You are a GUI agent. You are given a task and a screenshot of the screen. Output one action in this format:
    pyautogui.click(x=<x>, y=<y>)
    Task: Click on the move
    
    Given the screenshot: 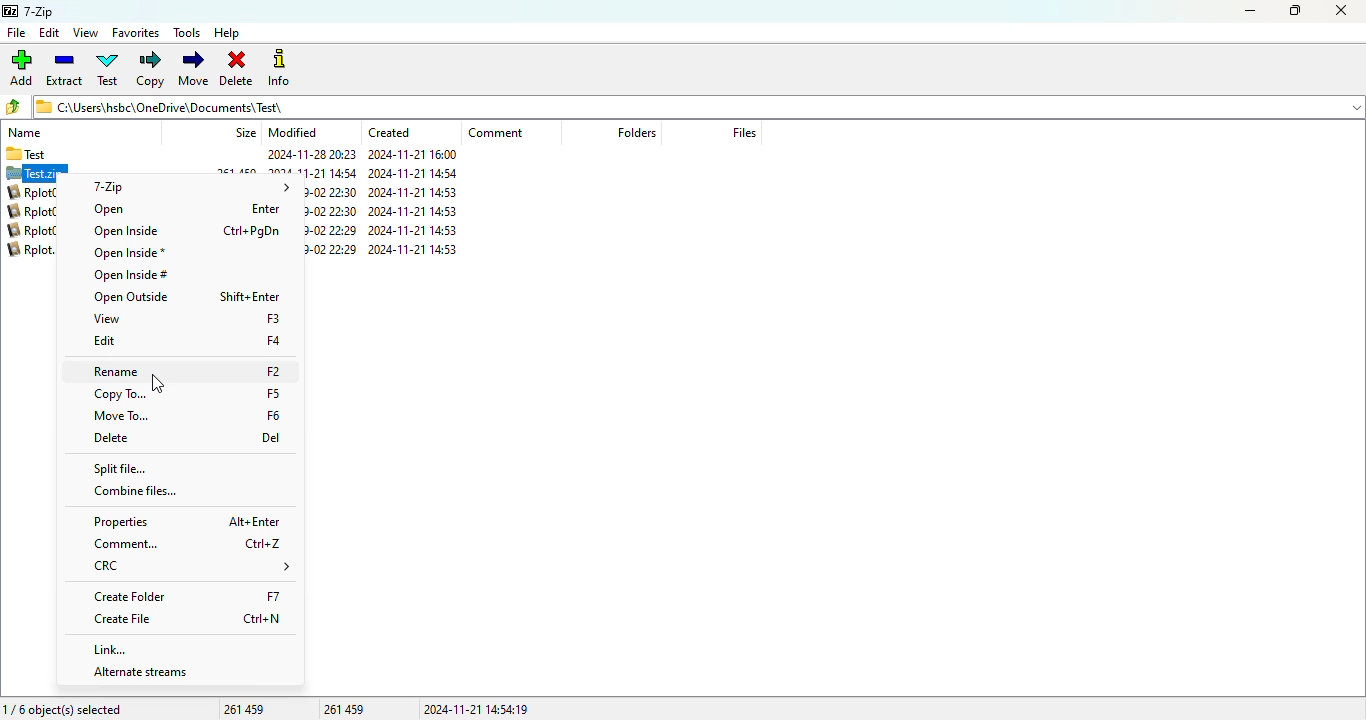 What is the action you would take?
    pyautogui.click(x=194, y=68)
    